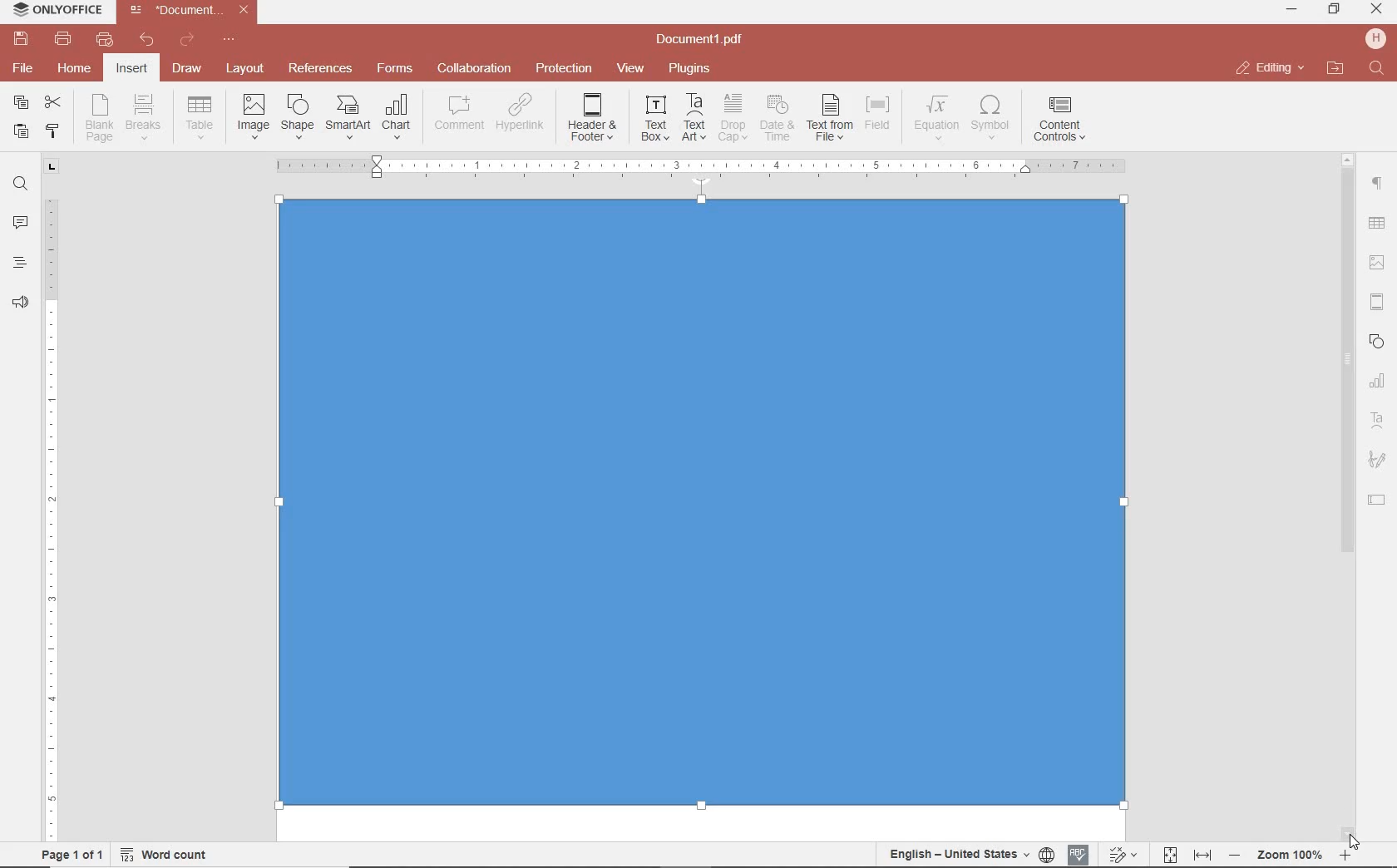 The width and height of the screenshot is (1397, 868). Describe the element at coordinates (1335, 69) in the screenshot. I see `open file location` at that location.